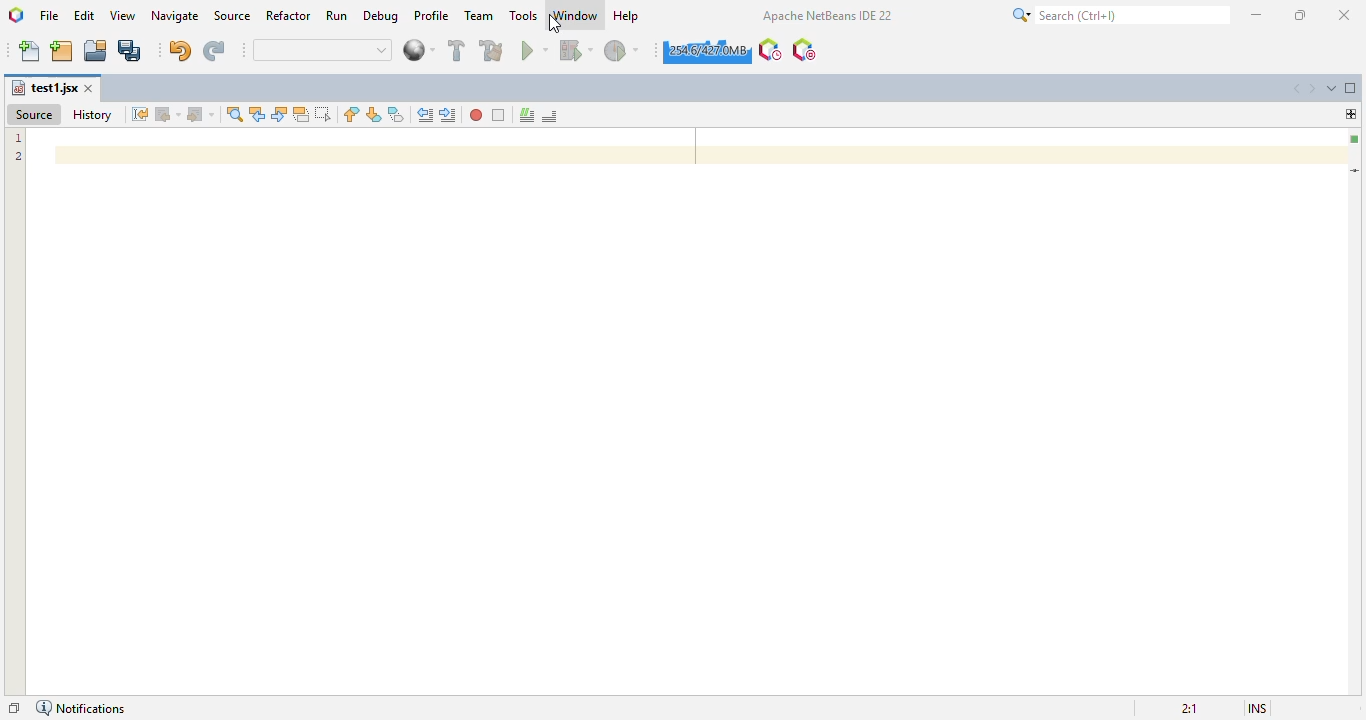  I want to click on close, so click(90, 89).